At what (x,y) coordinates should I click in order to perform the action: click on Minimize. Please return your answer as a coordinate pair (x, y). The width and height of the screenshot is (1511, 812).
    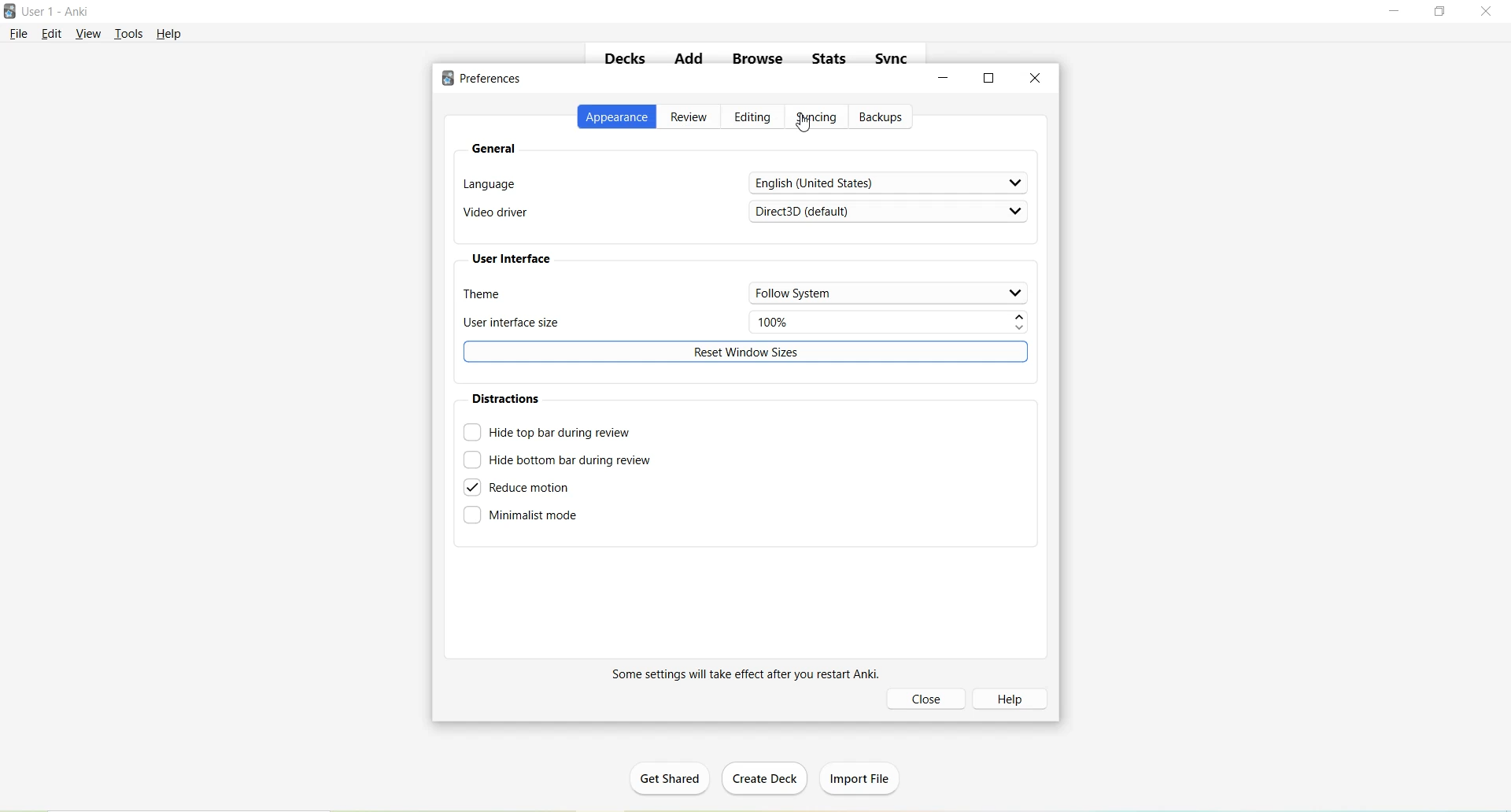
    Looking at the image, I should click on (1396, 12).